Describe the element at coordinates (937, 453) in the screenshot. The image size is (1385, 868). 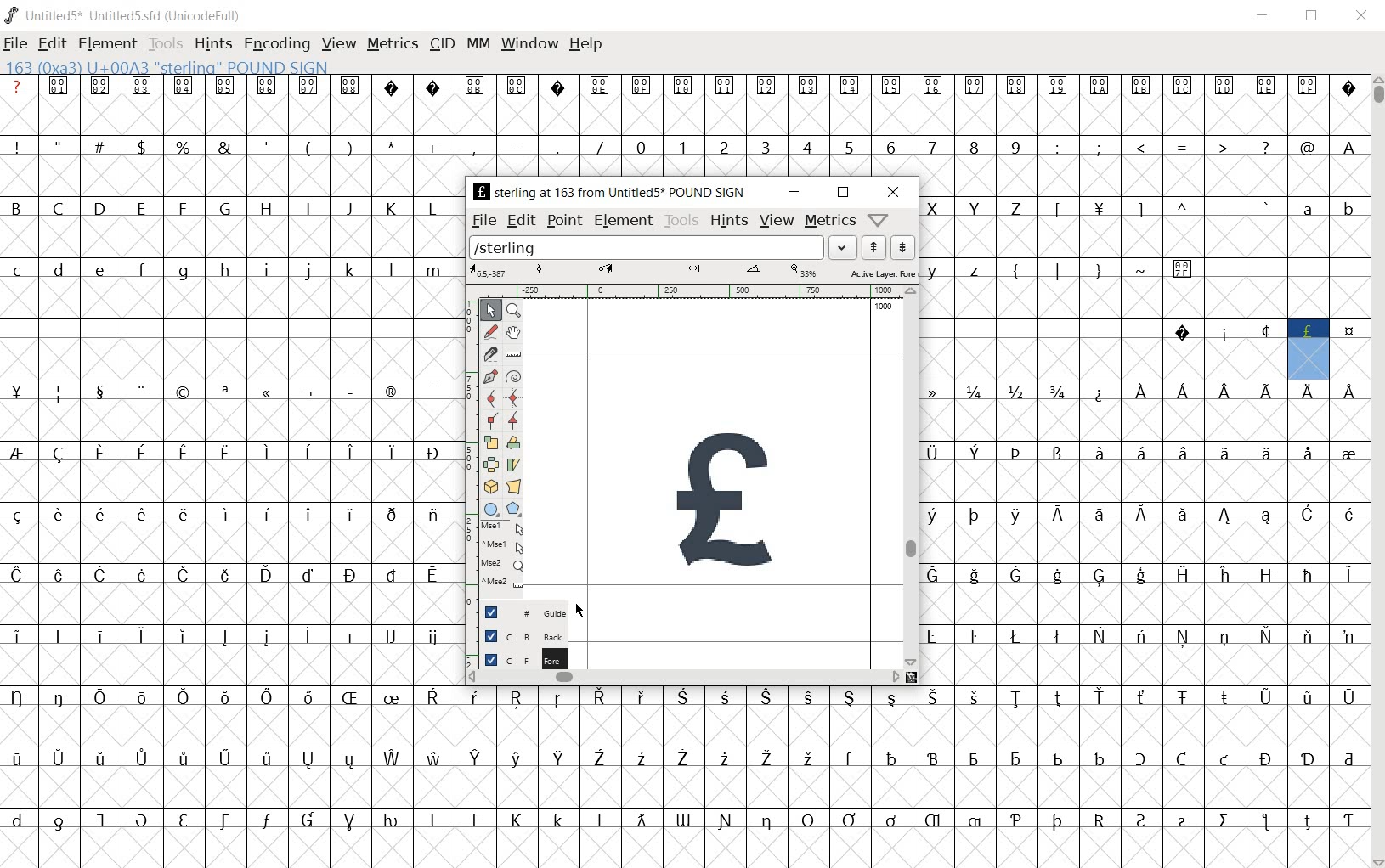
I see `Symbol` at that location.